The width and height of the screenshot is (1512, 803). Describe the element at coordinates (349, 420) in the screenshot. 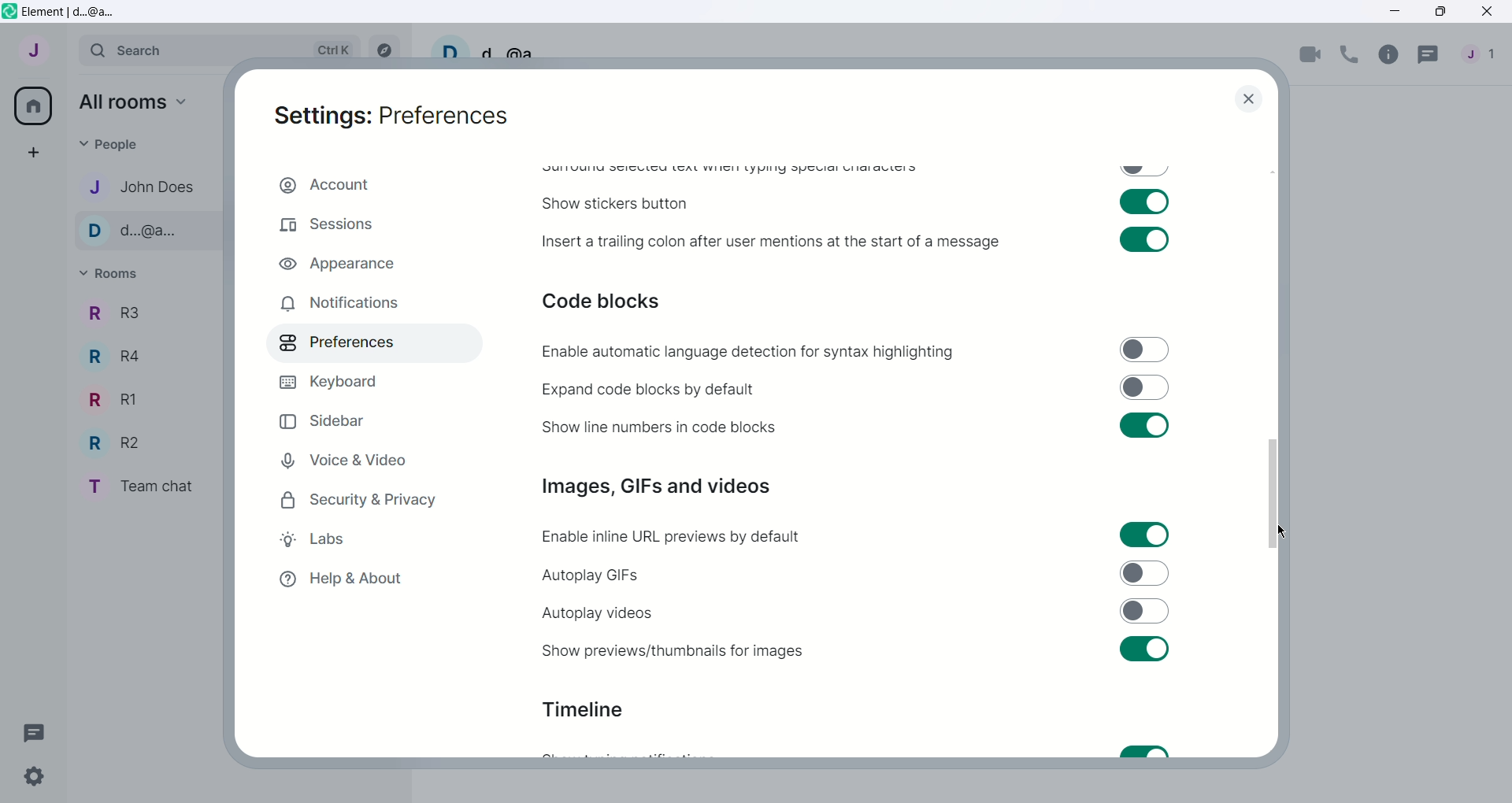

I see `Sidebar` at that location.